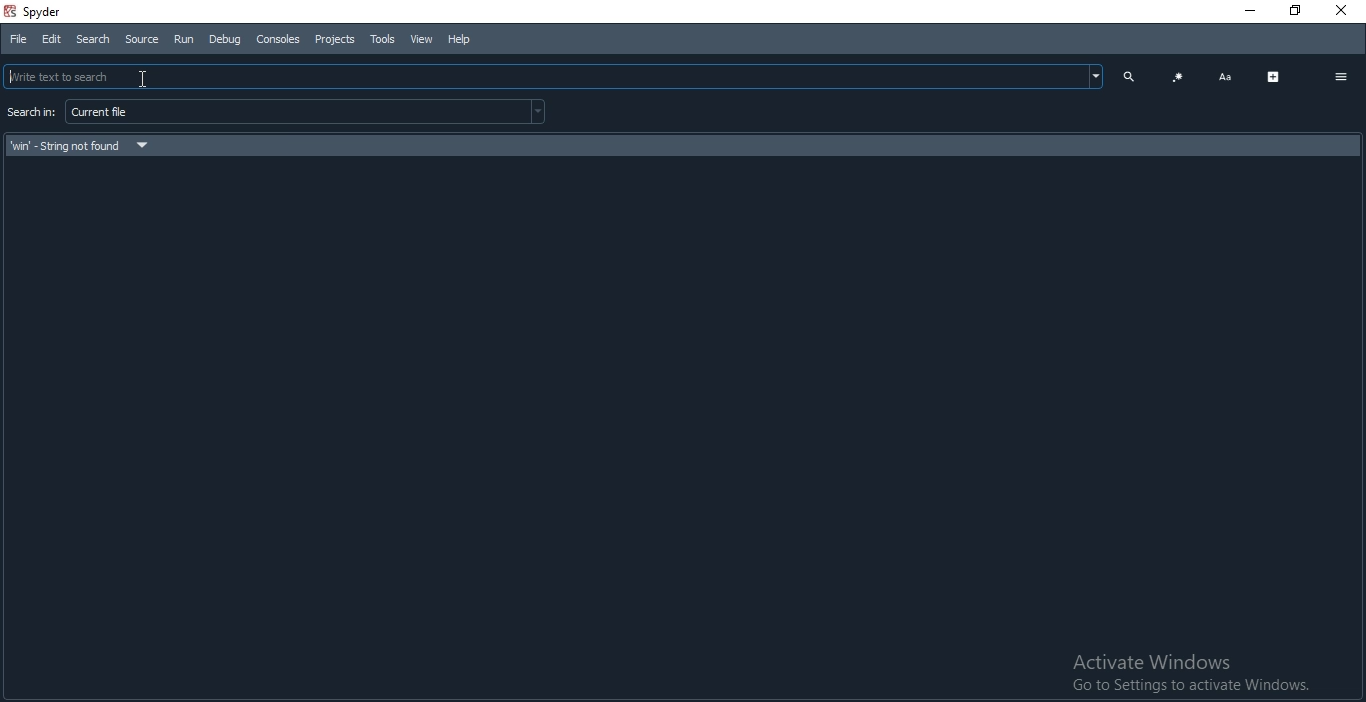 Image resolution: width=1366 pixels, height=702 pixels. I want to click on Activate Windows
Go to Settings to activate Windows., so click(1192, 674).